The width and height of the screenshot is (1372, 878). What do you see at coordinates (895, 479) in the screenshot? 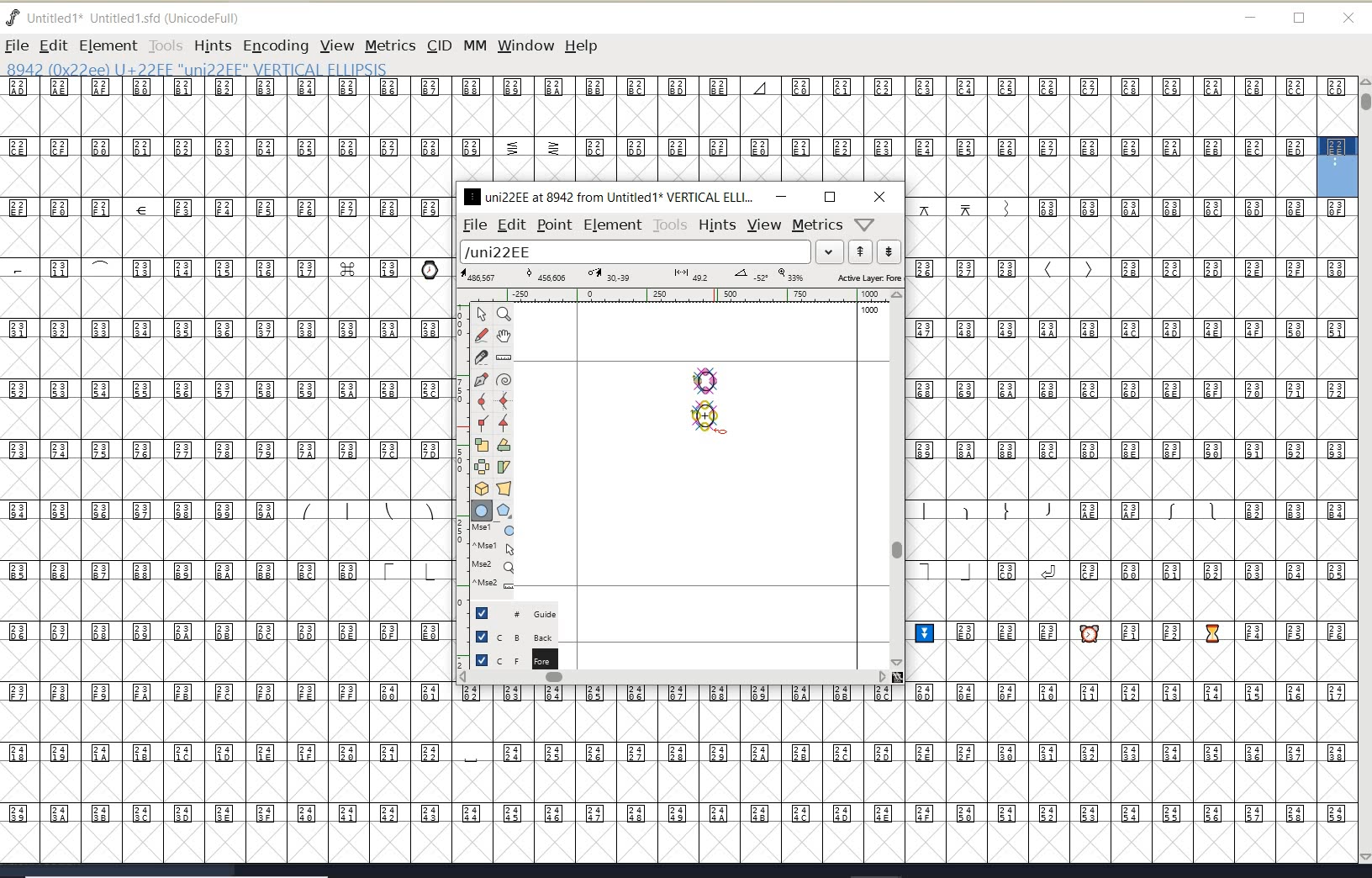
I see `scrollbar` at bounding box center [895, 479].